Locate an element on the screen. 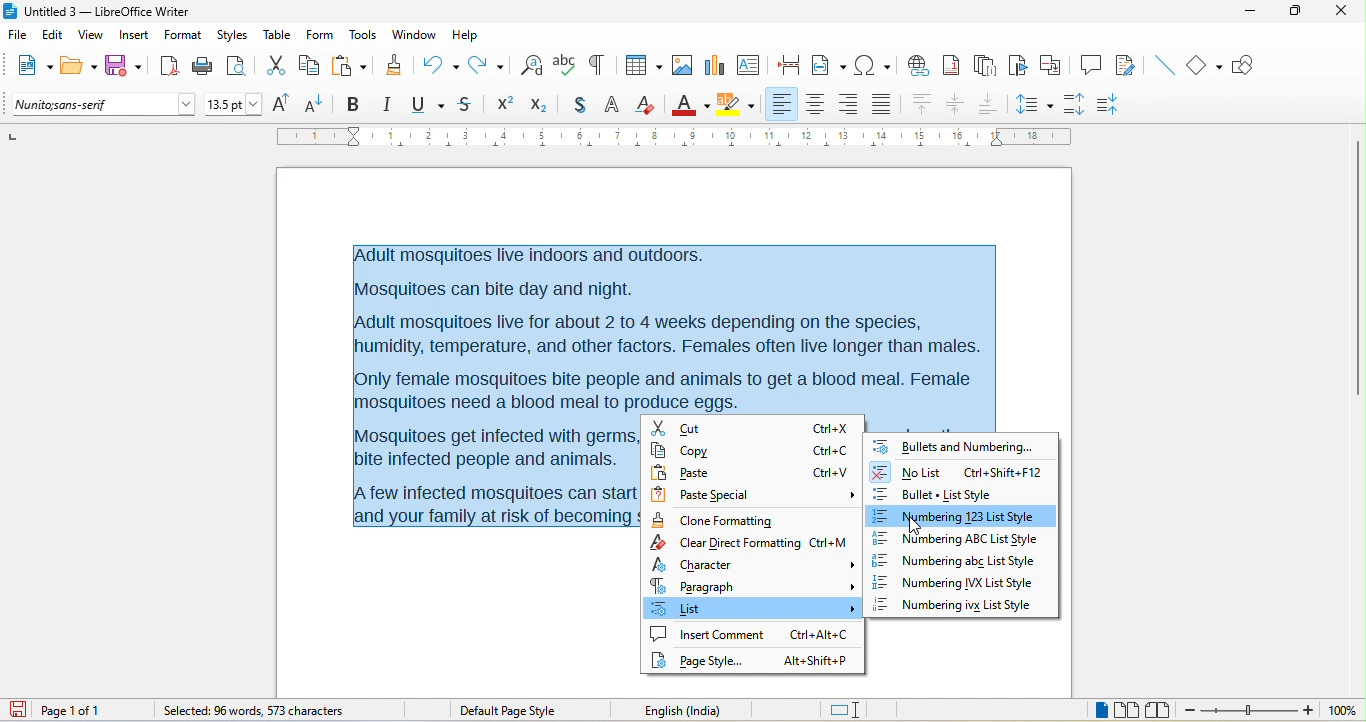  align left is located at coordinates (783, 104).